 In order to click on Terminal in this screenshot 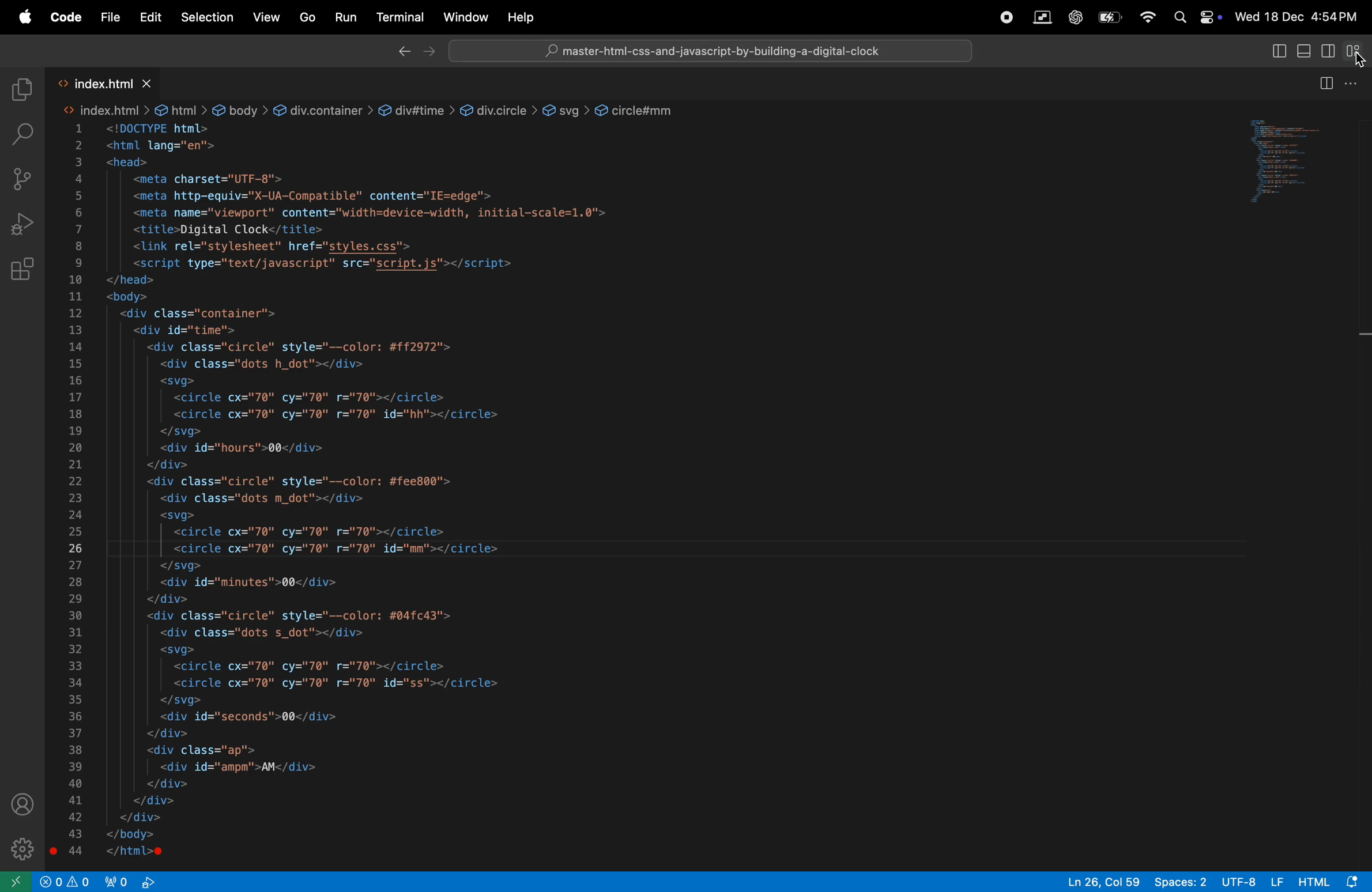, I will do `click(401, 20)`.